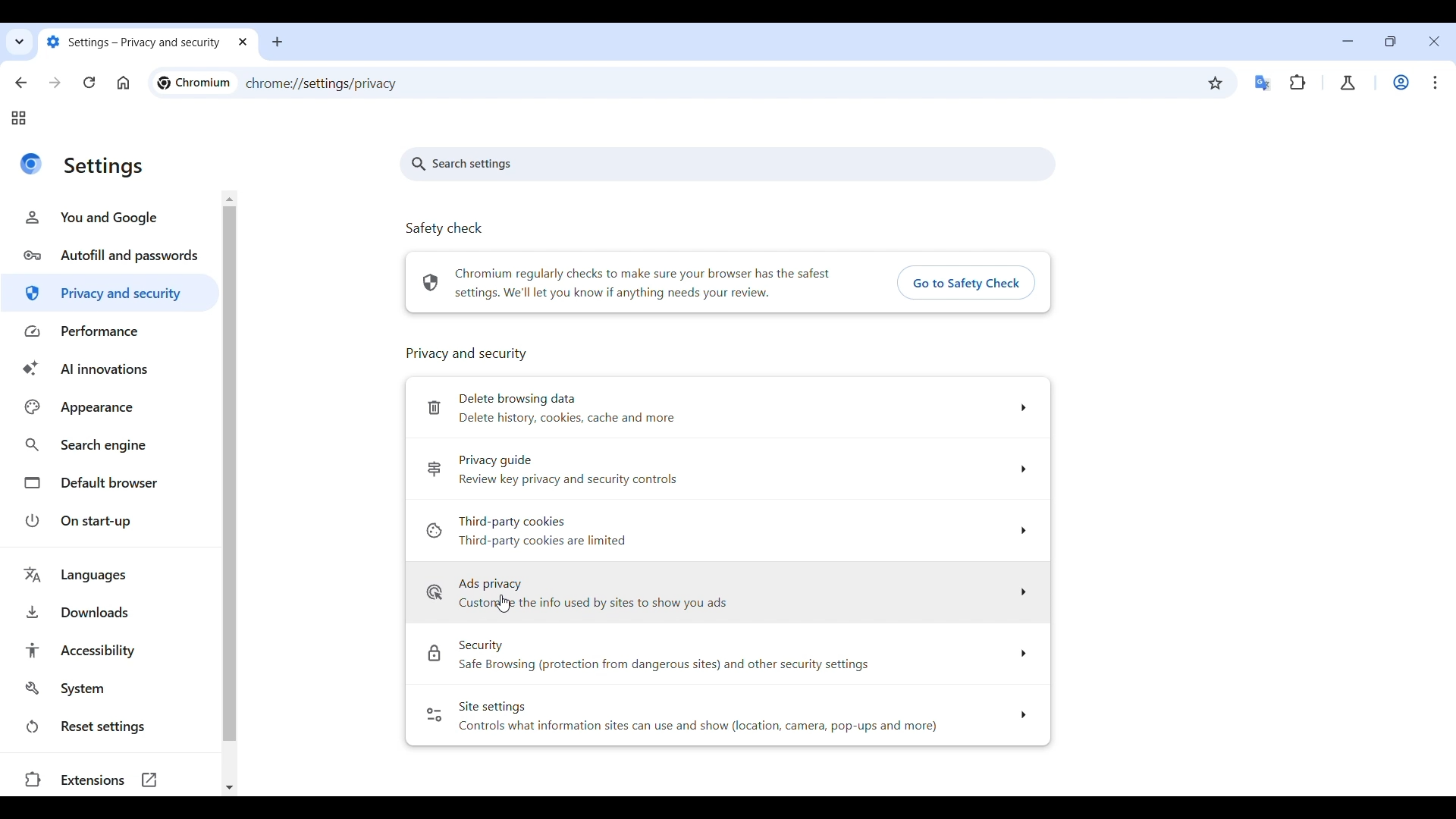  I want to click on Extensions, so click(104, 781).